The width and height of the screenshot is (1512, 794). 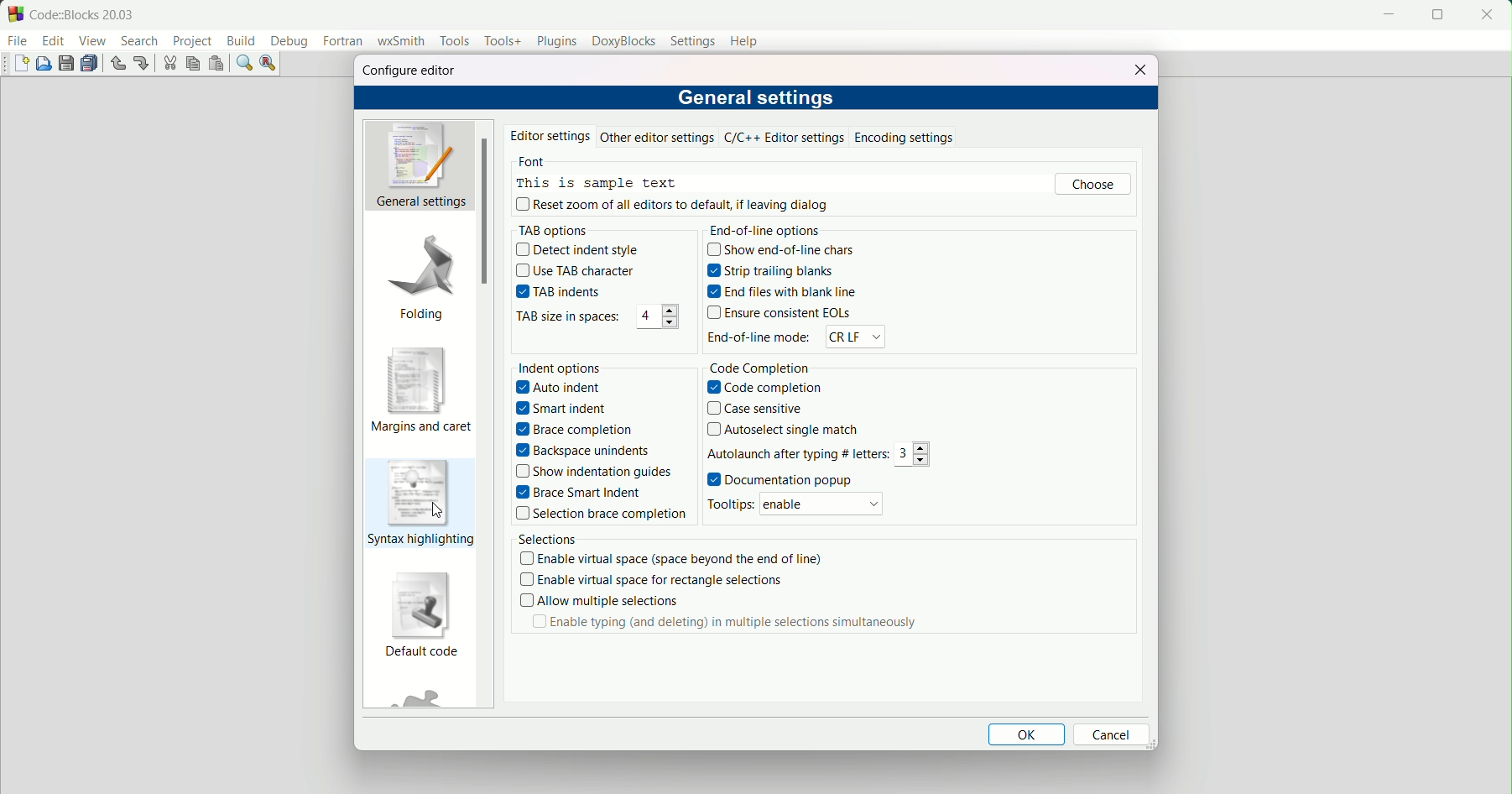 I want to click on number, so click(x=655, y=318).